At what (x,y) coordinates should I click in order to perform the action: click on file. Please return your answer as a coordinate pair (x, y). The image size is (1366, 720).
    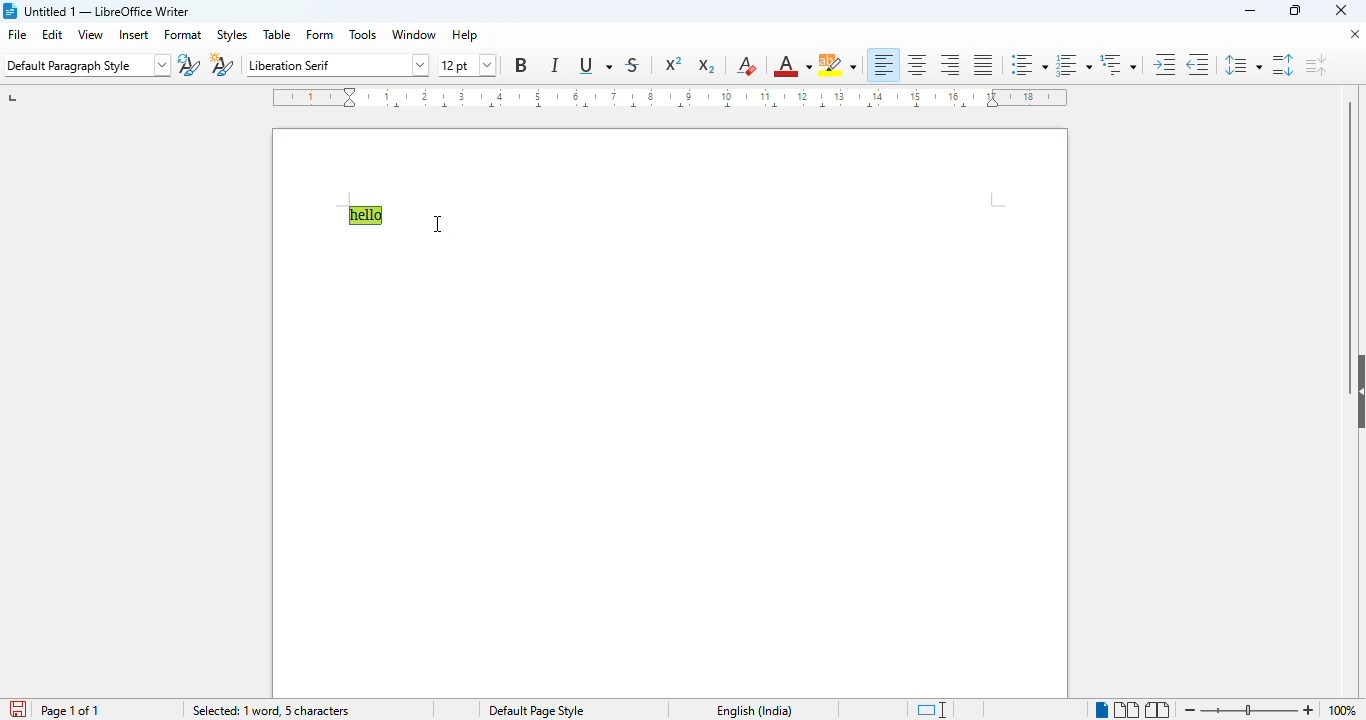
    Looking at the image, I should click on (16, 34).